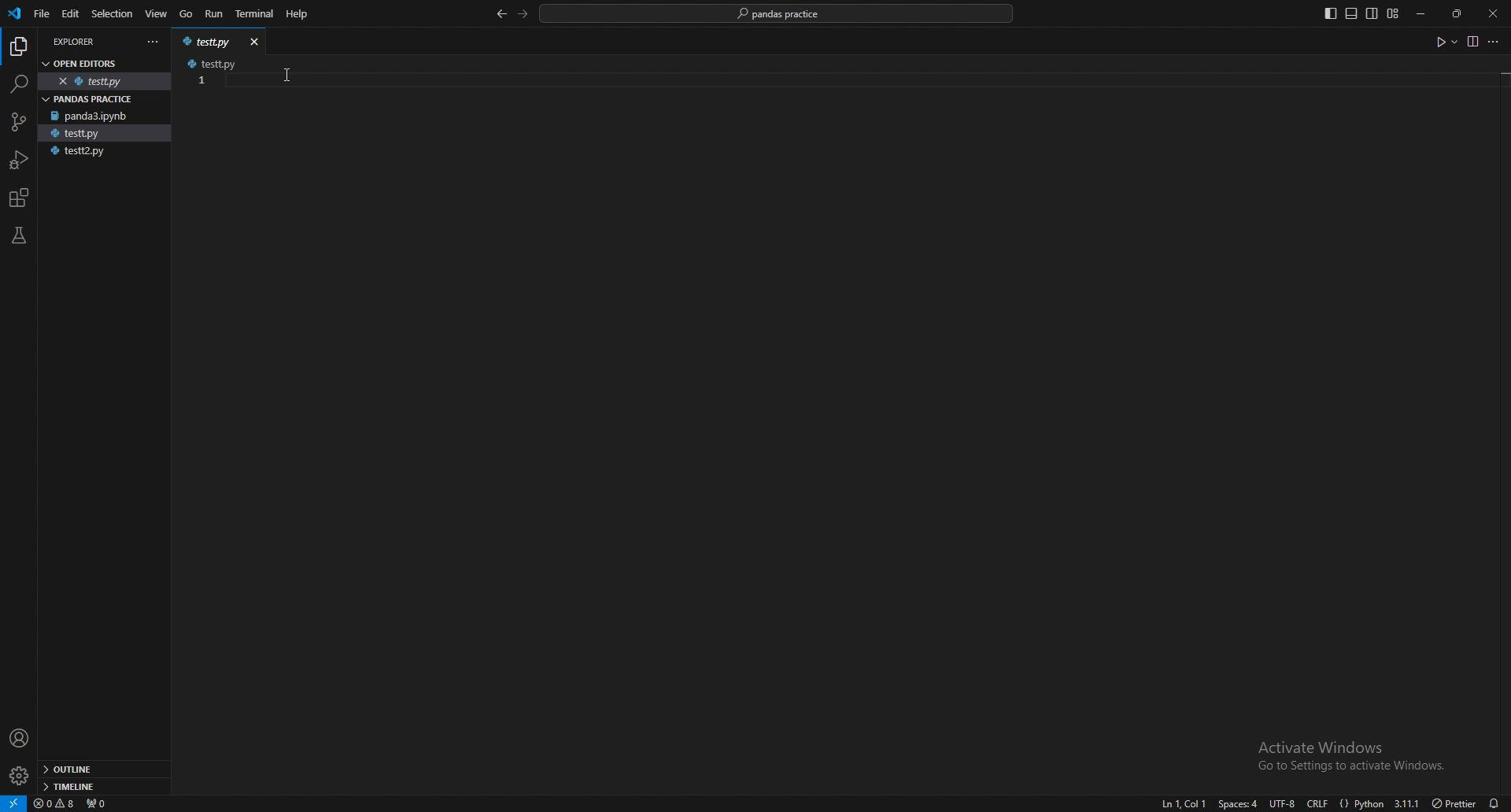 Image resolution: width=1511 pixels, height=812 pixels. What do you see at coordinates (1459, 13) in the screenshot?
I see `resize` at bounding box center [1459, 13].